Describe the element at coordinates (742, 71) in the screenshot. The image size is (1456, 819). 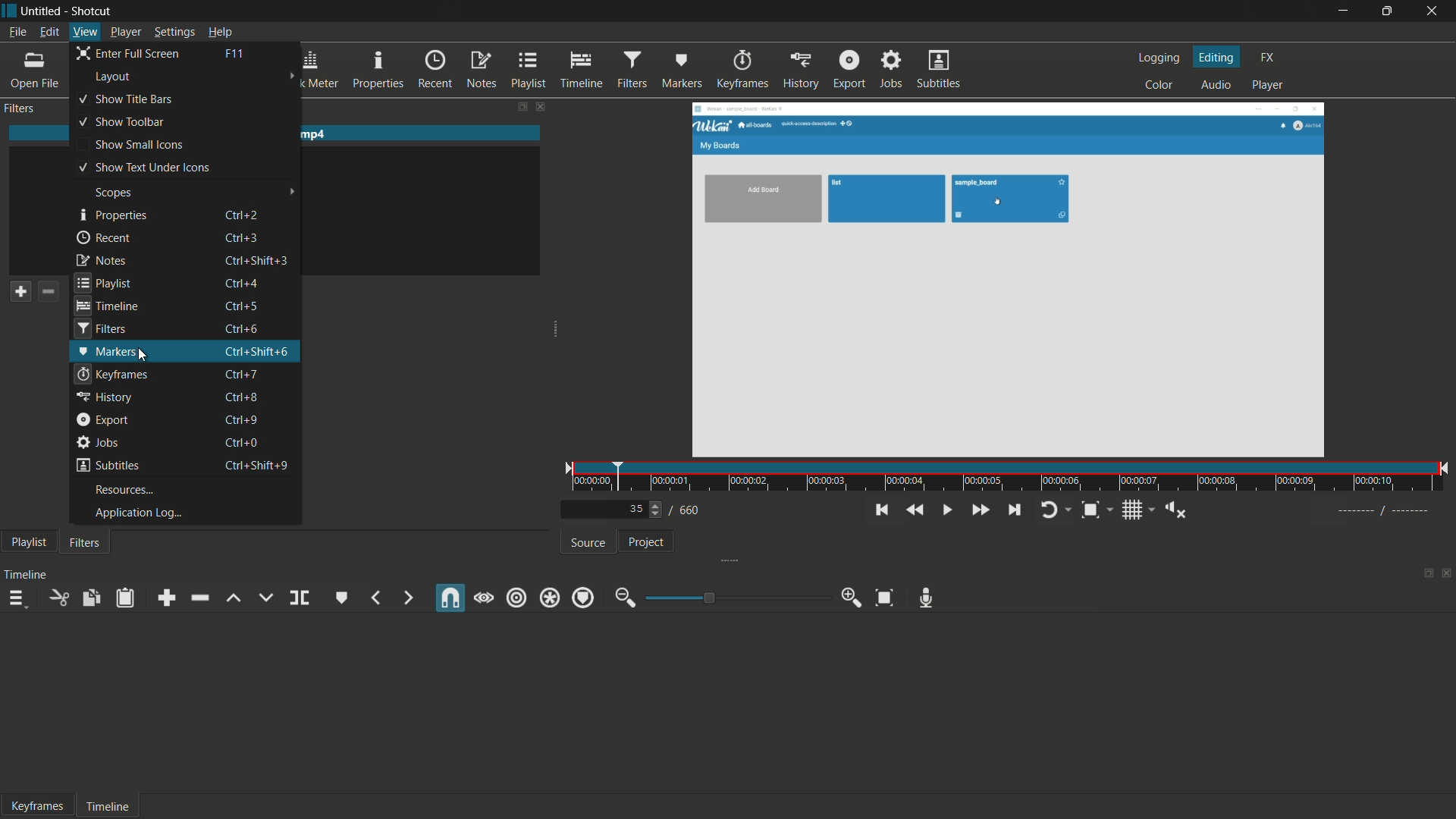
I see `keyframes` at that location.